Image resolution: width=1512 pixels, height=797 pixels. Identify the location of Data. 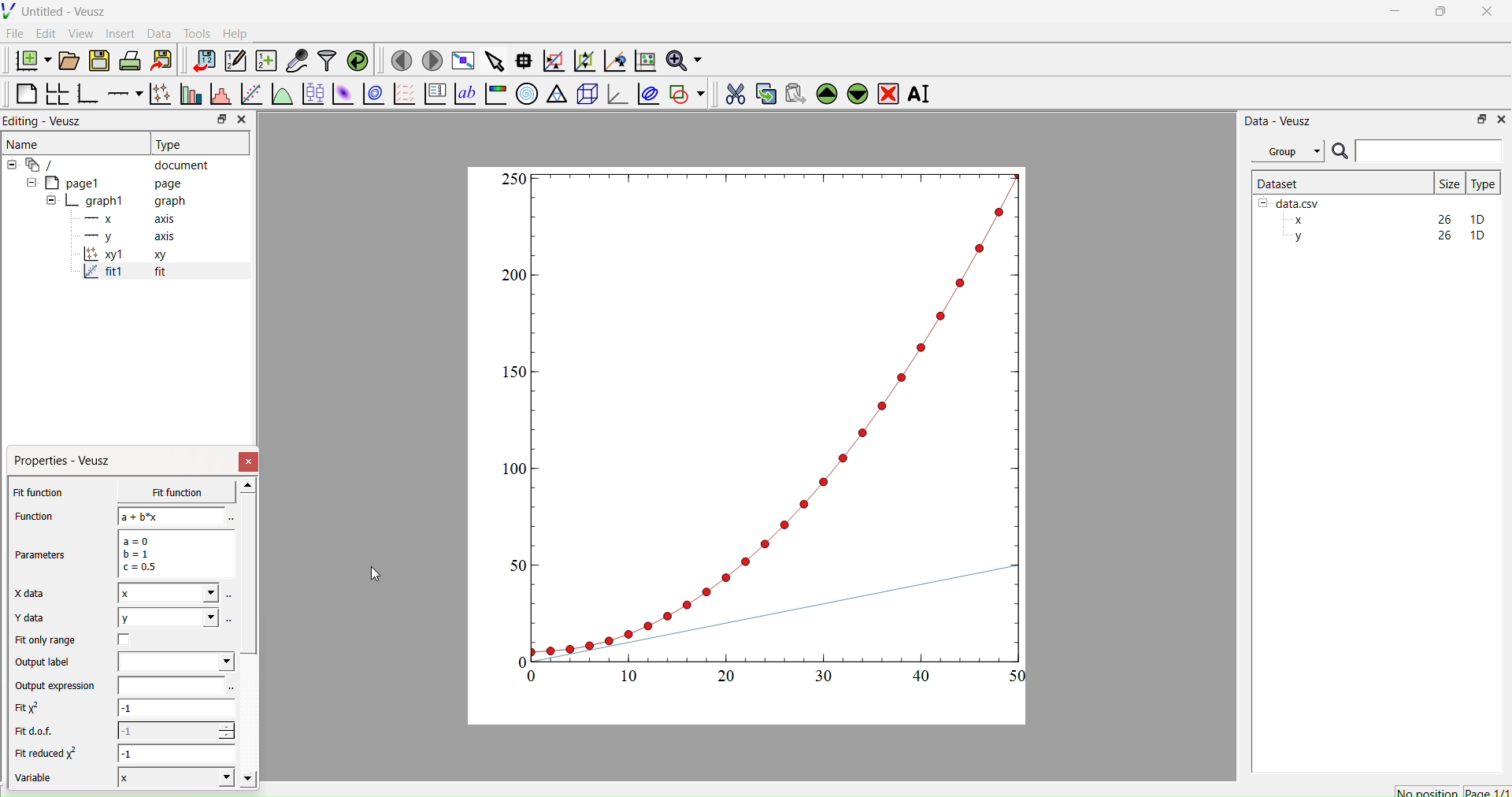
(158, 34).